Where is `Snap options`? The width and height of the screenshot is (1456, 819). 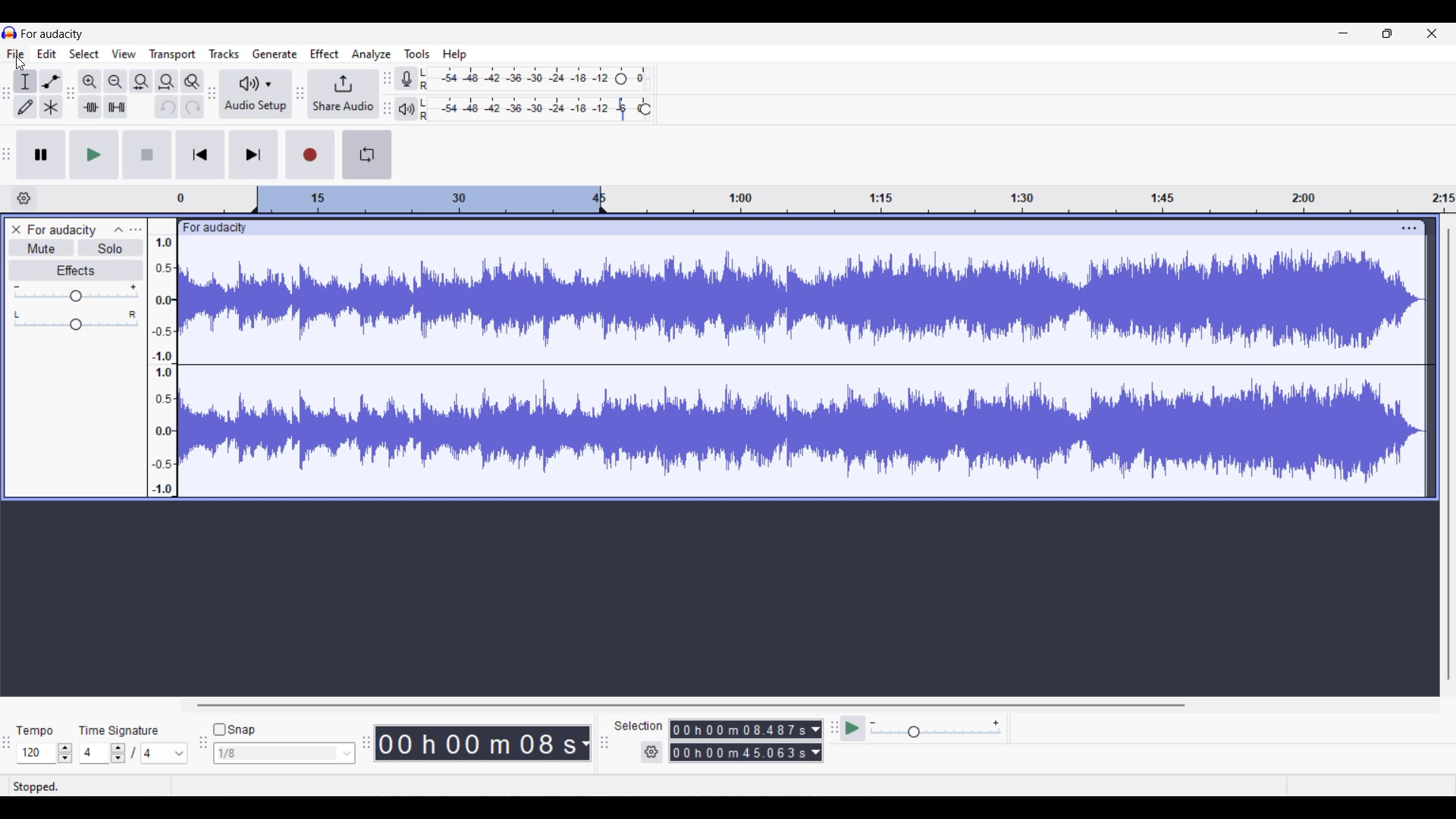
Snap options is located at coordinates (284, 753).